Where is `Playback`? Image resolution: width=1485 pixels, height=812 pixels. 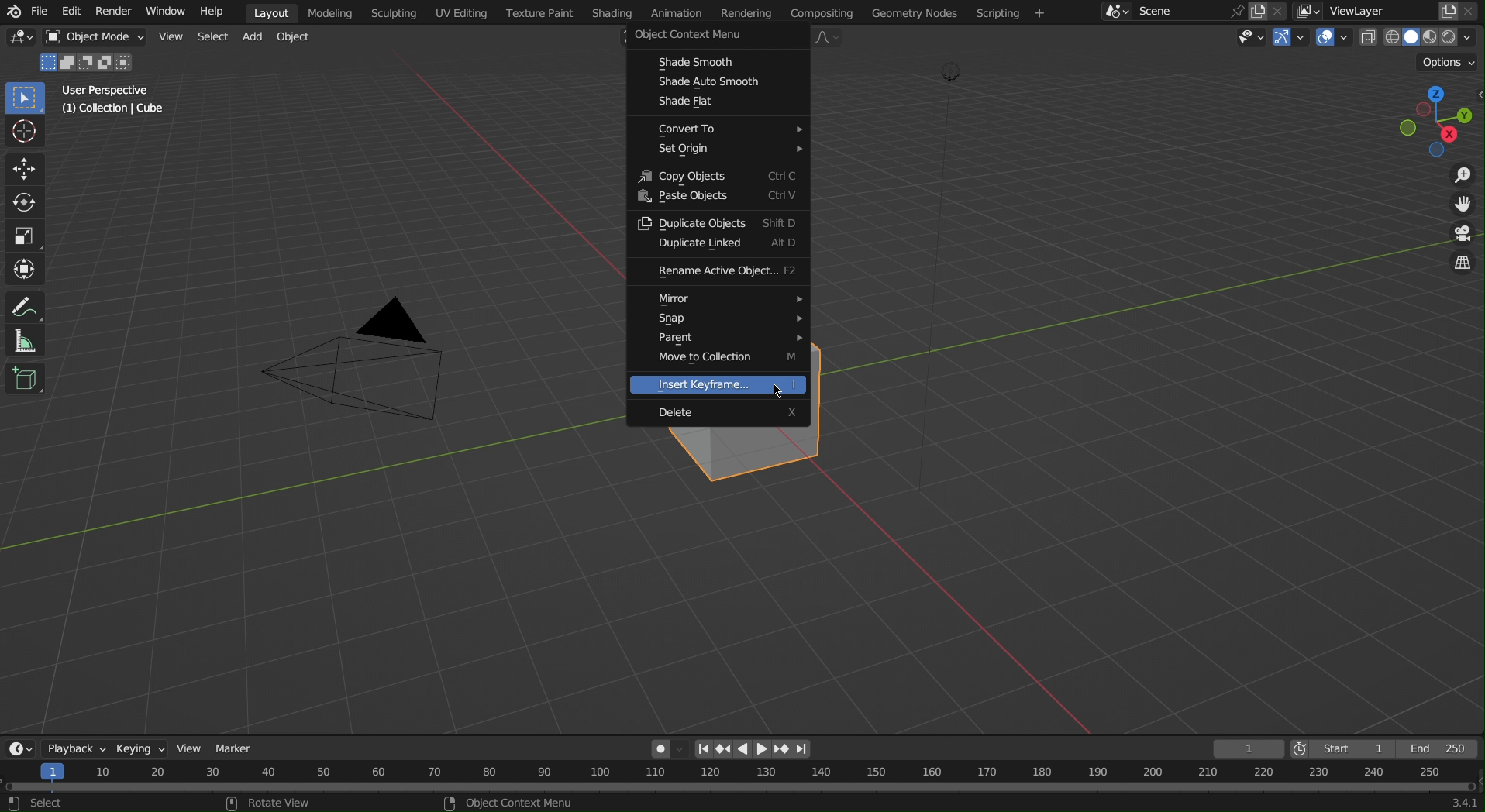
Playback is located at coordinates (78, 745).